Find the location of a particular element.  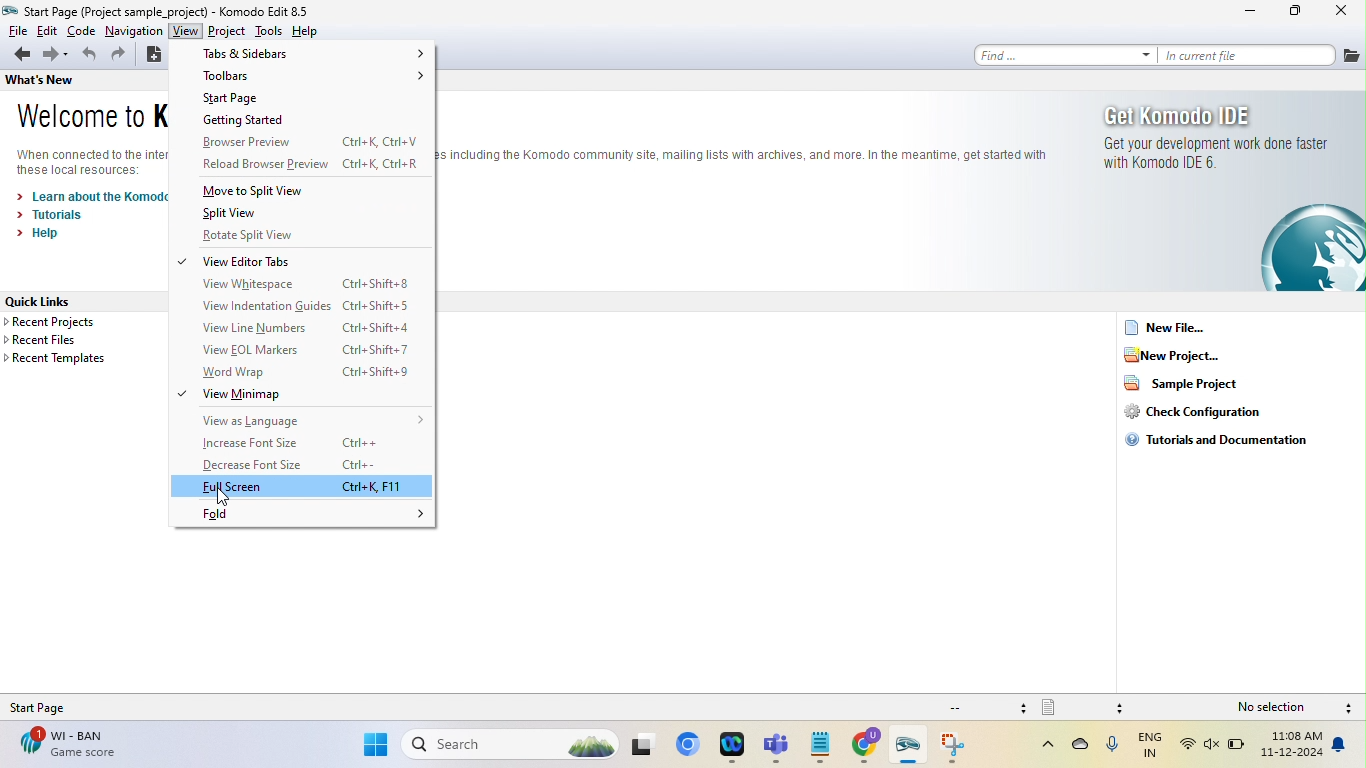

fold is located at coordinates (315, 516).